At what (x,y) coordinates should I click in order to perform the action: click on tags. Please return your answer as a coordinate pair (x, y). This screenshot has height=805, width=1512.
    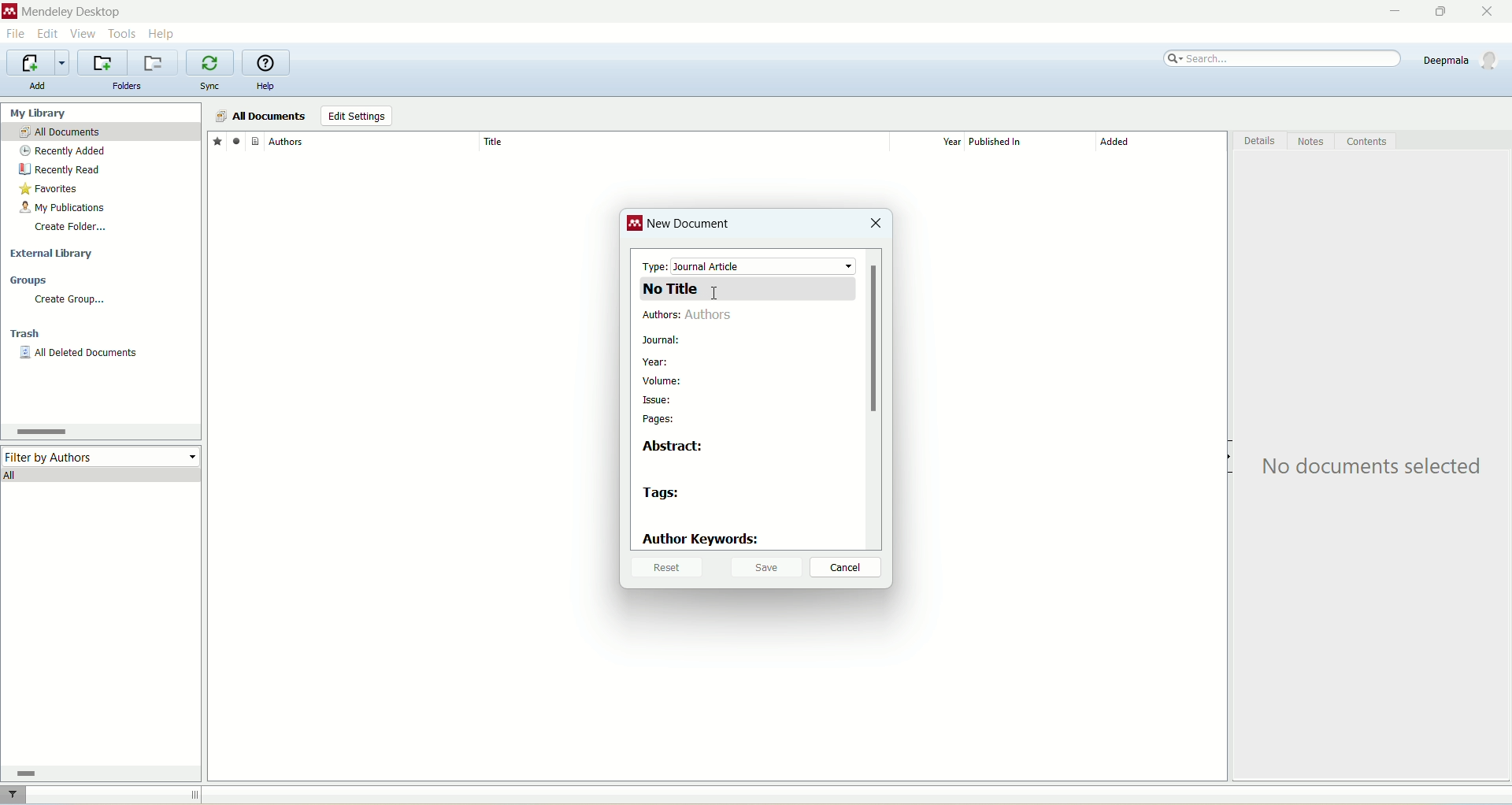
    Looking at the image, I should click on (663, 495).